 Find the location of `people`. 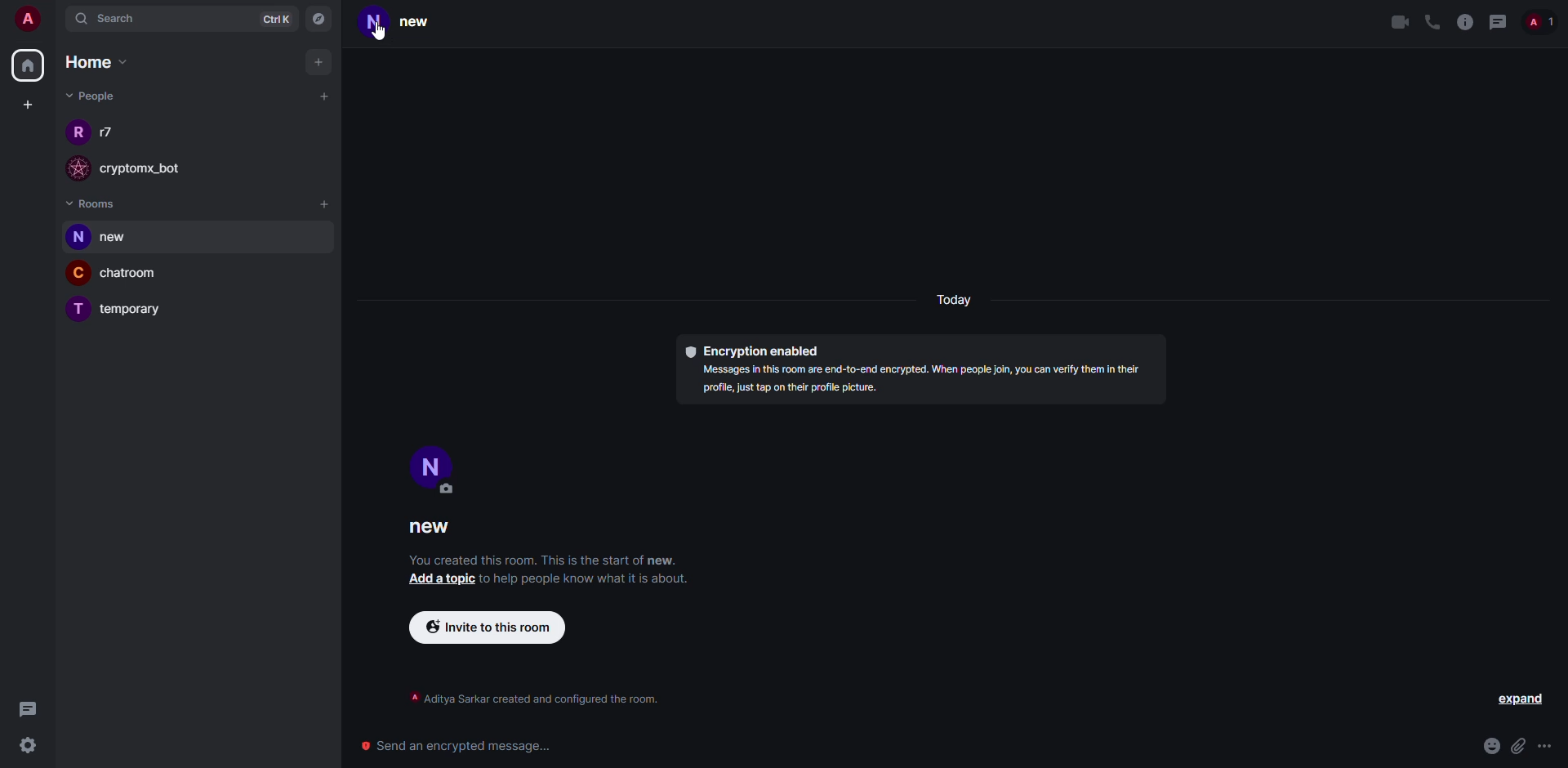

people is located at coordinates (1543, 21).